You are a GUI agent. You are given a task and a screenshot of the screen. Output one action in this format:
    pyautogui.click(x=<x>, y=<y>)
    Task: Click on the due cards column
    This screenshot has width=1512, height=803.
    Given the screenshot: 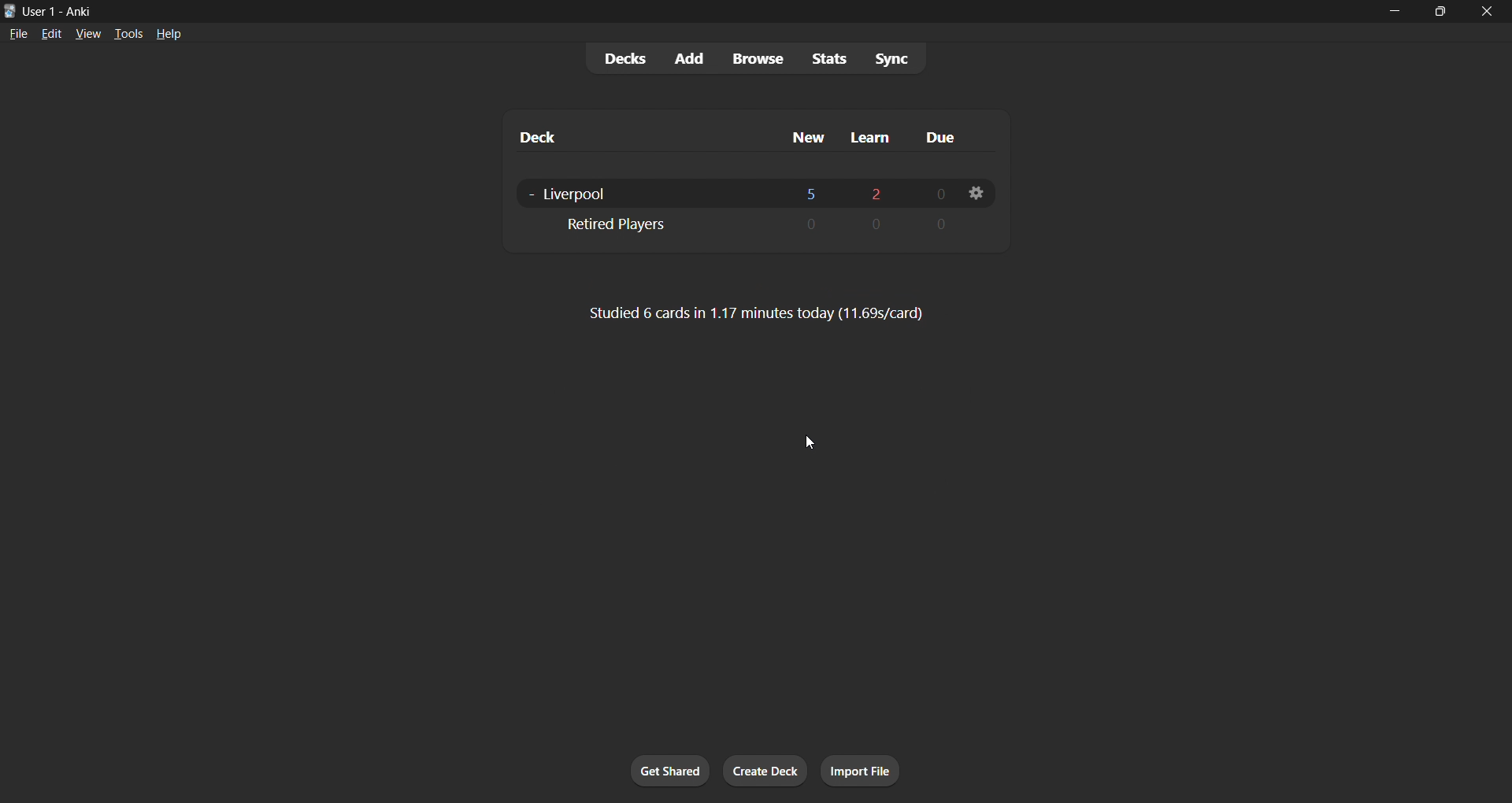 What is the action you would take?
    pyautogui.click(x=946, y=141)
    